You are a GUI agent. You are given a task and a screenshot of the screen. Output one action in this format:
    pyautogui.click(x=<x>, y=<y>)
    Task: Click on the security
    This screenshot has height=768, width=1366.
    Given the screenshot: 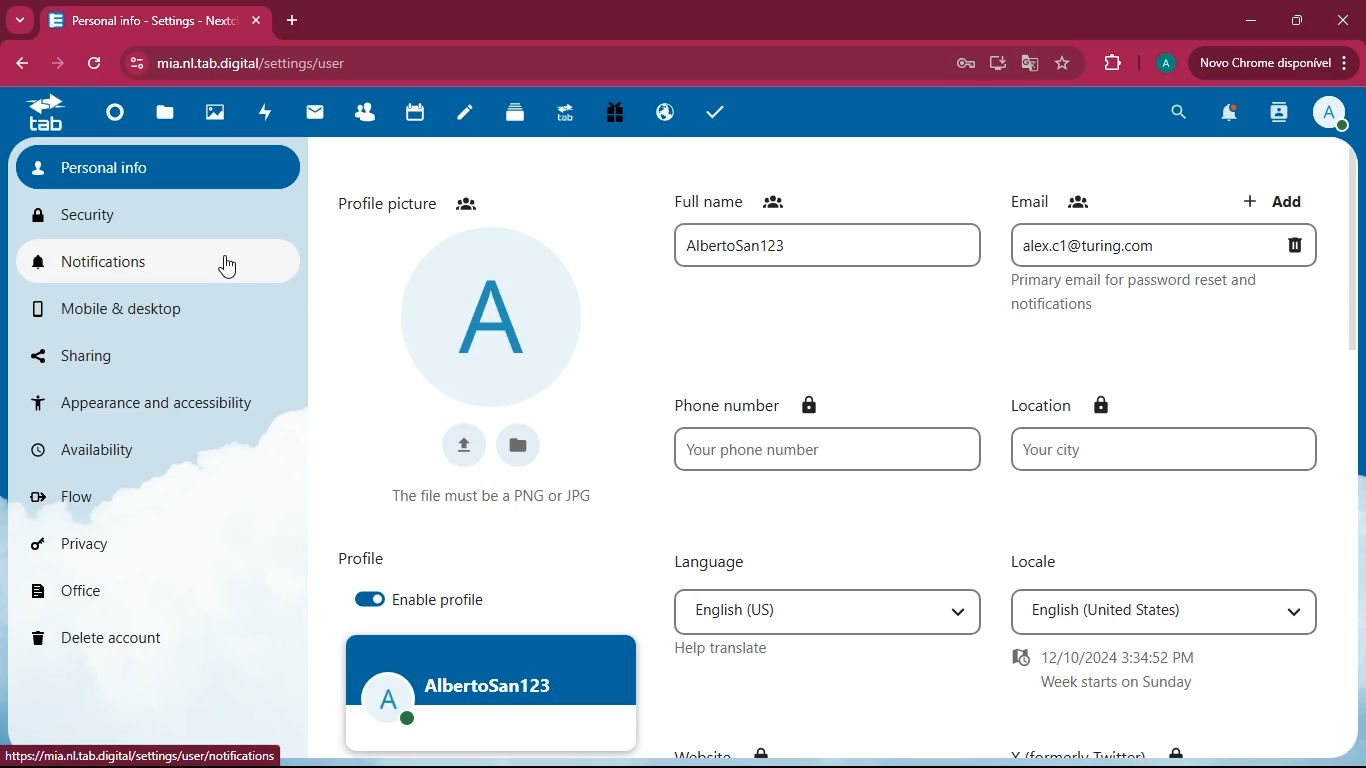 What is the action you would take?
    pyautogui.click(x=149, y=217)
    